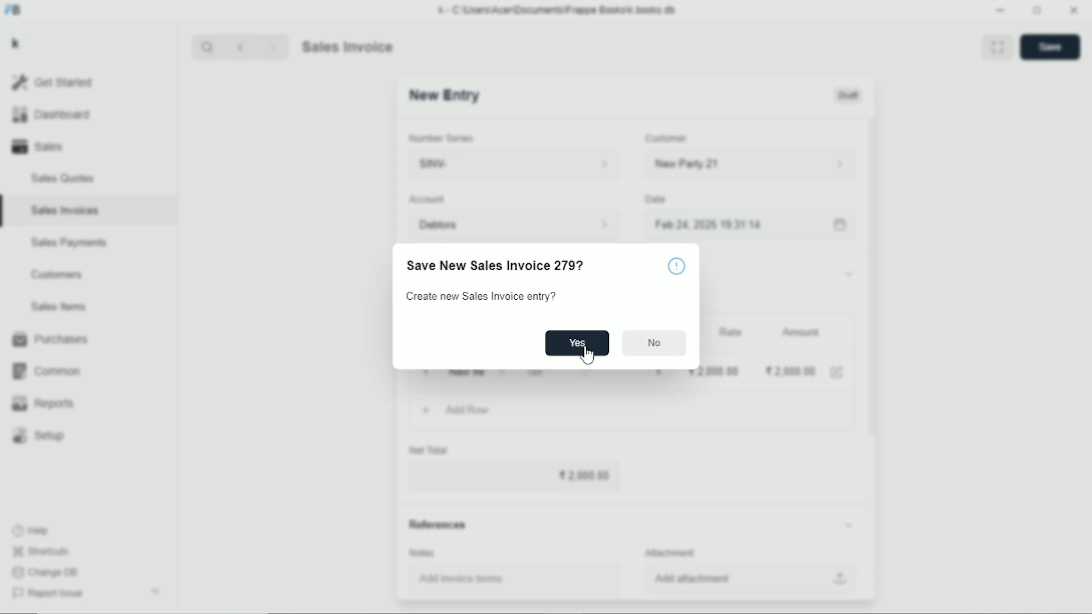 The image size is (1092, 614). What do you see at coordinates (61, 178) in the screenshot?
I see `Sales quotes` at bounding box center [61, 178].